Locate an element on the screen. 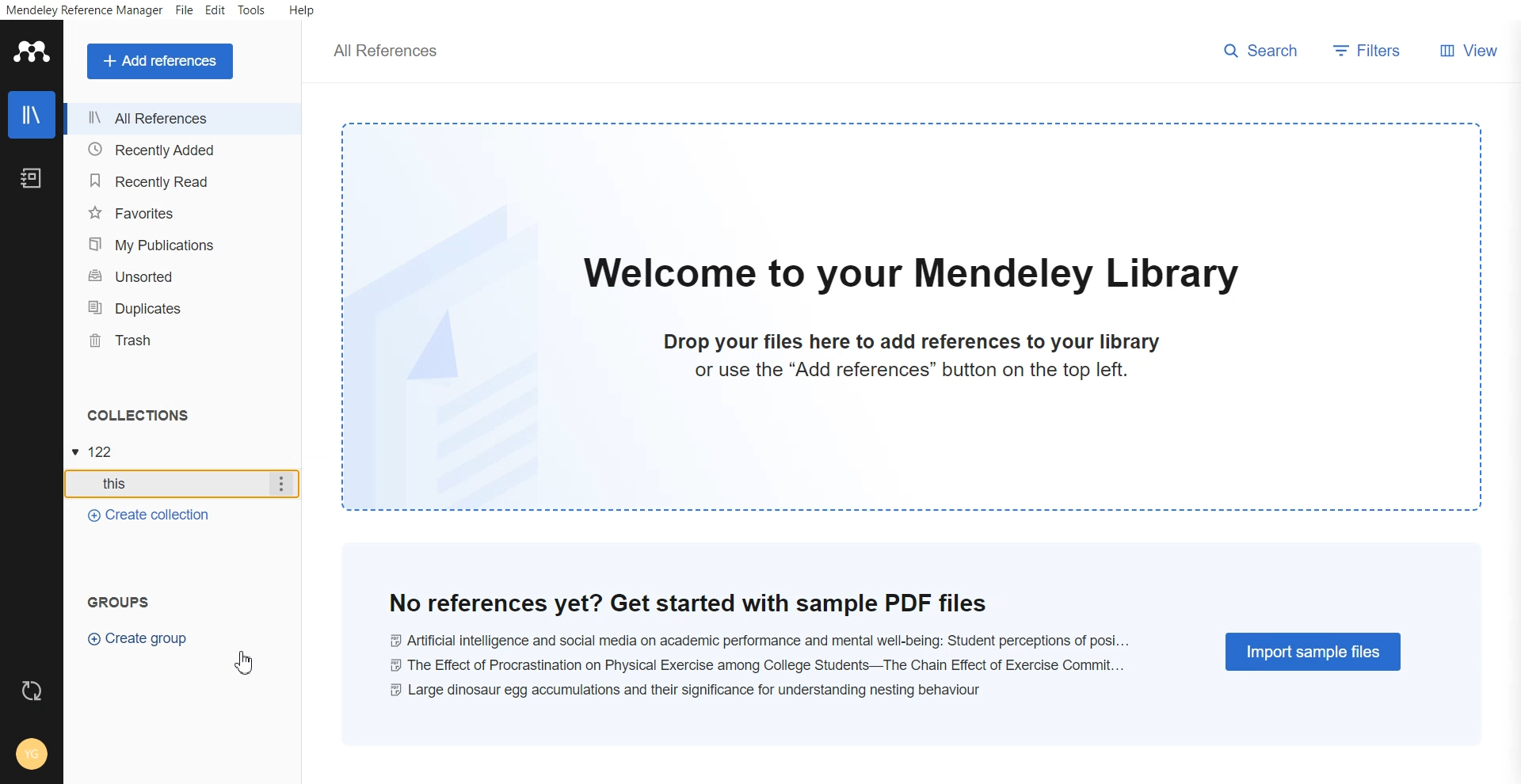  More is located at coordinates (282, 485).